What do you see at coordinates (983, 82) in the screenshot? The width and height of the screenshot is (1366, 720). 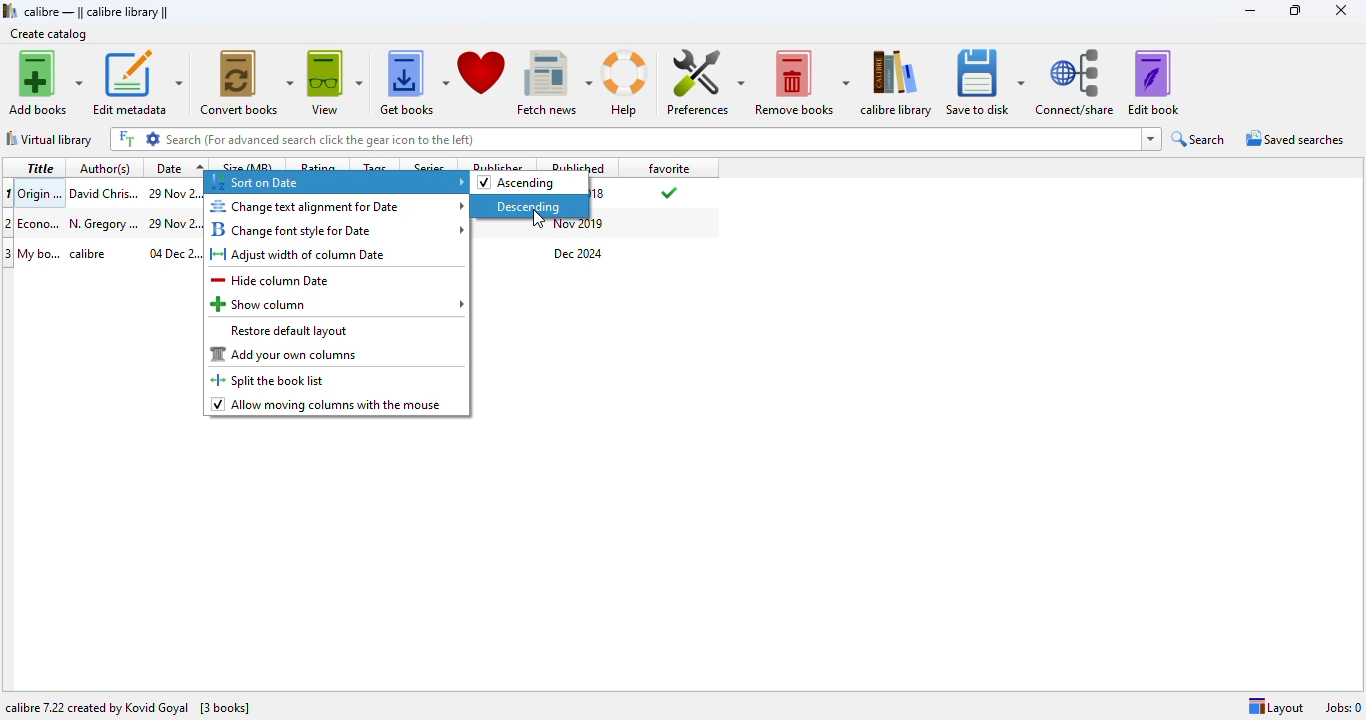 I see `save to disk` at bounding box center [983, 82].